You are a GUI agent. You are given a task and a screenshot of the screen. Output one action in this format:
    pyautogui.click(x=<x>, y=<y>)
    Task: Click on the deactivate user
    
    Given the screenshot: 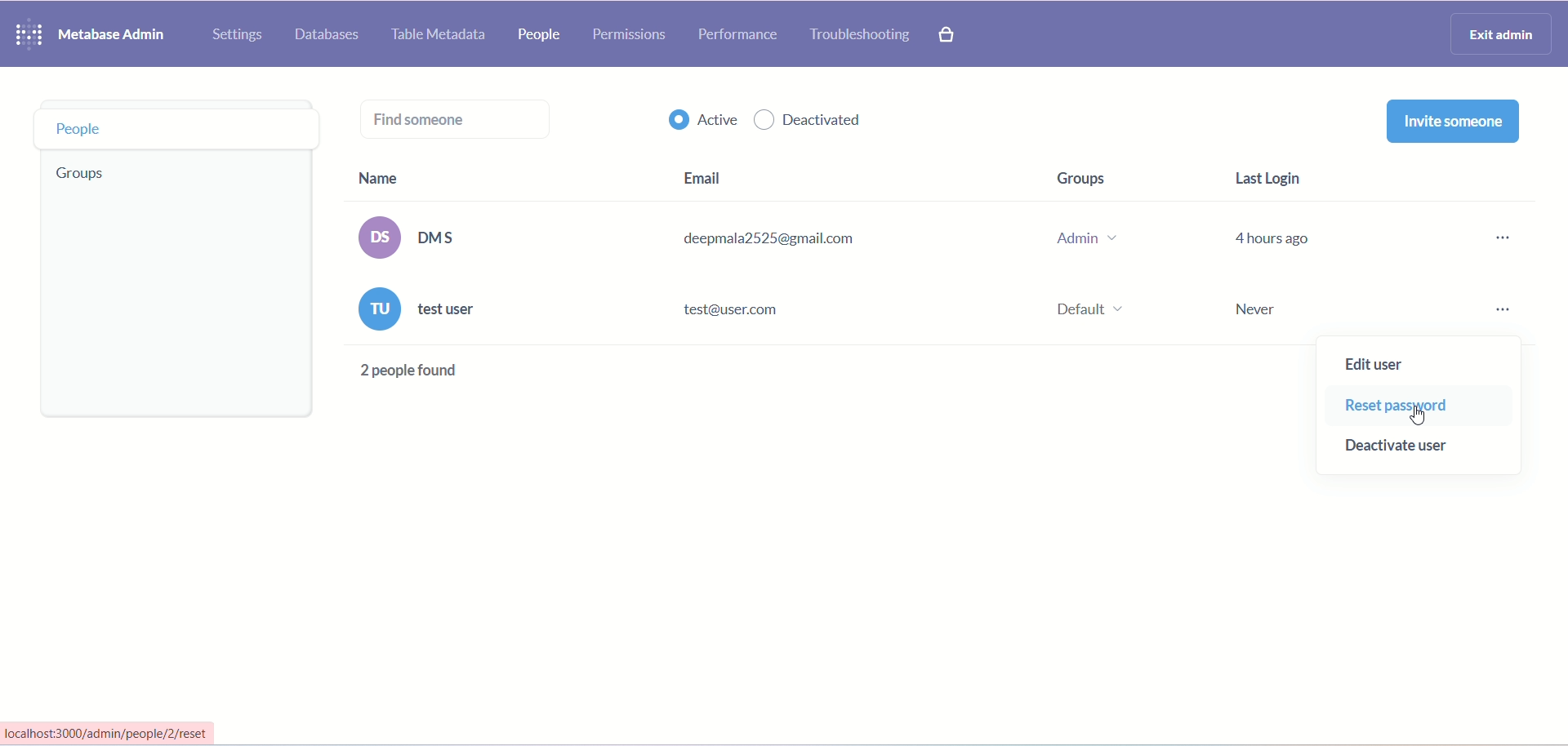 What is the action you would take?
    pyautogui.click(x=1393, y=449)
    